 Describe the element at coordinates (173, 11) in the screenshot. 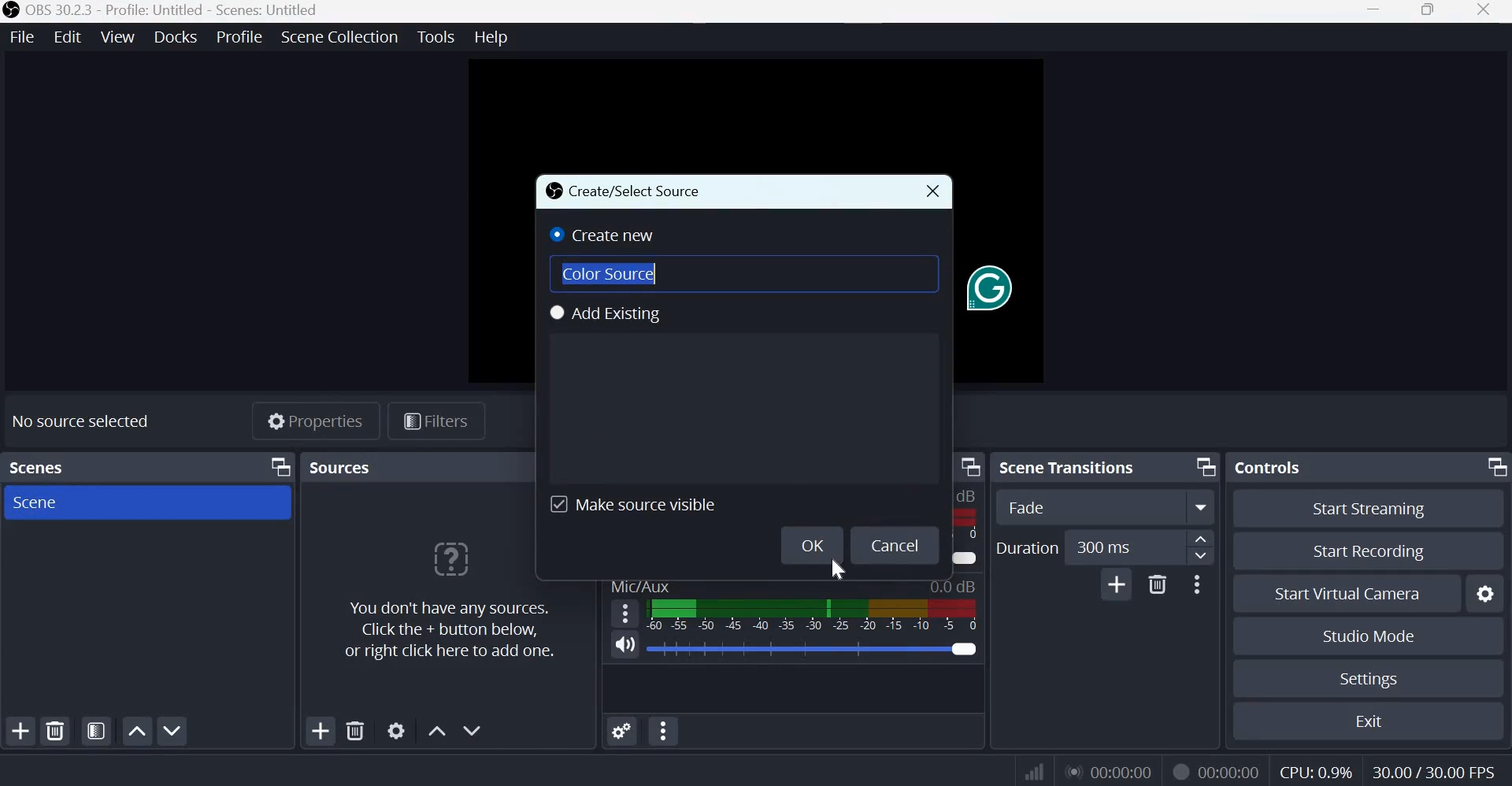

I see `OBS 30.2.3 - Profile: Untitled - Scenes: Untitled` at that location.